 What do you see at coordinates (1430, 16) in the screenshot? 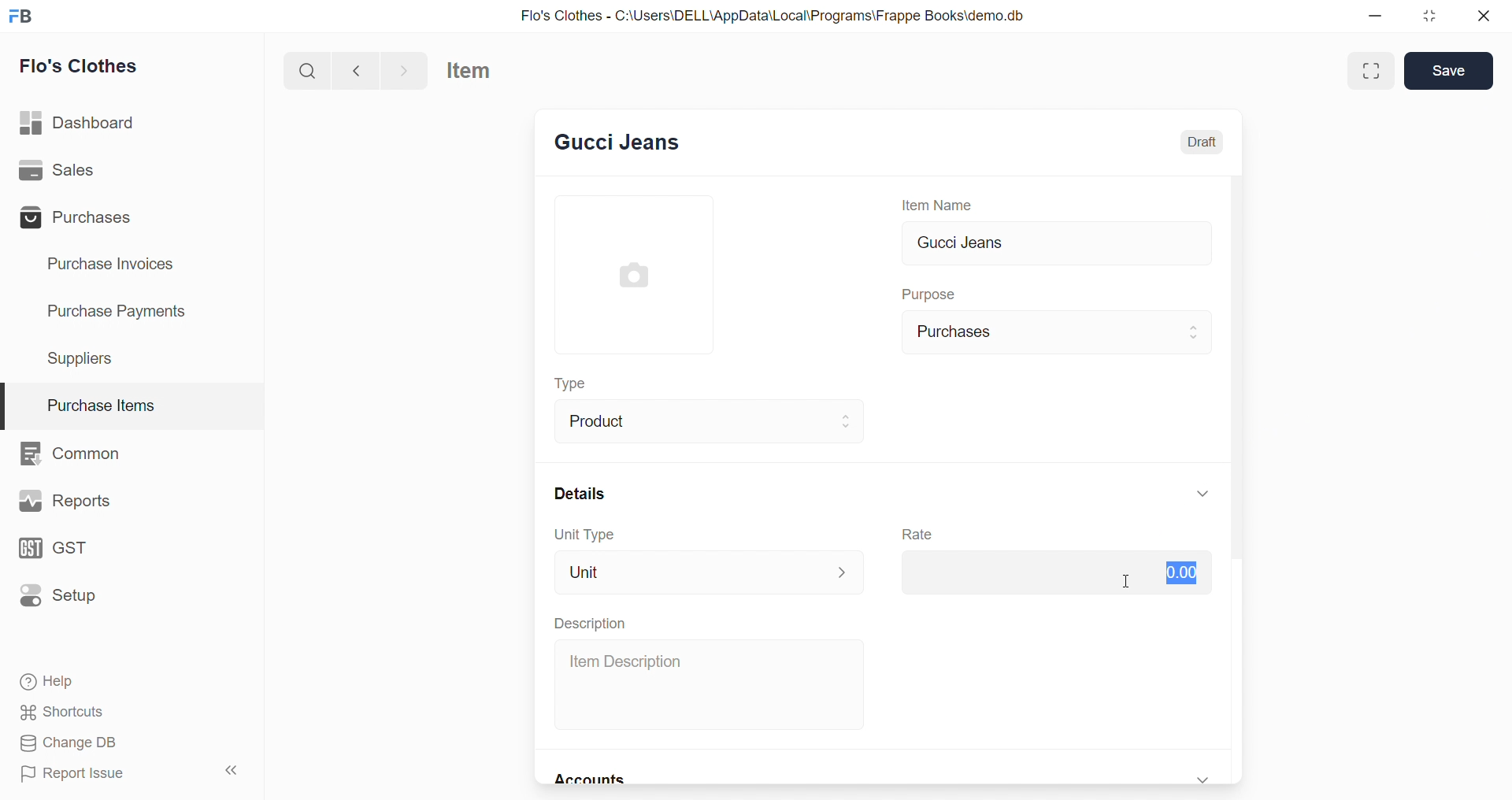
I see `resize` at bounding box center [1430, 16].